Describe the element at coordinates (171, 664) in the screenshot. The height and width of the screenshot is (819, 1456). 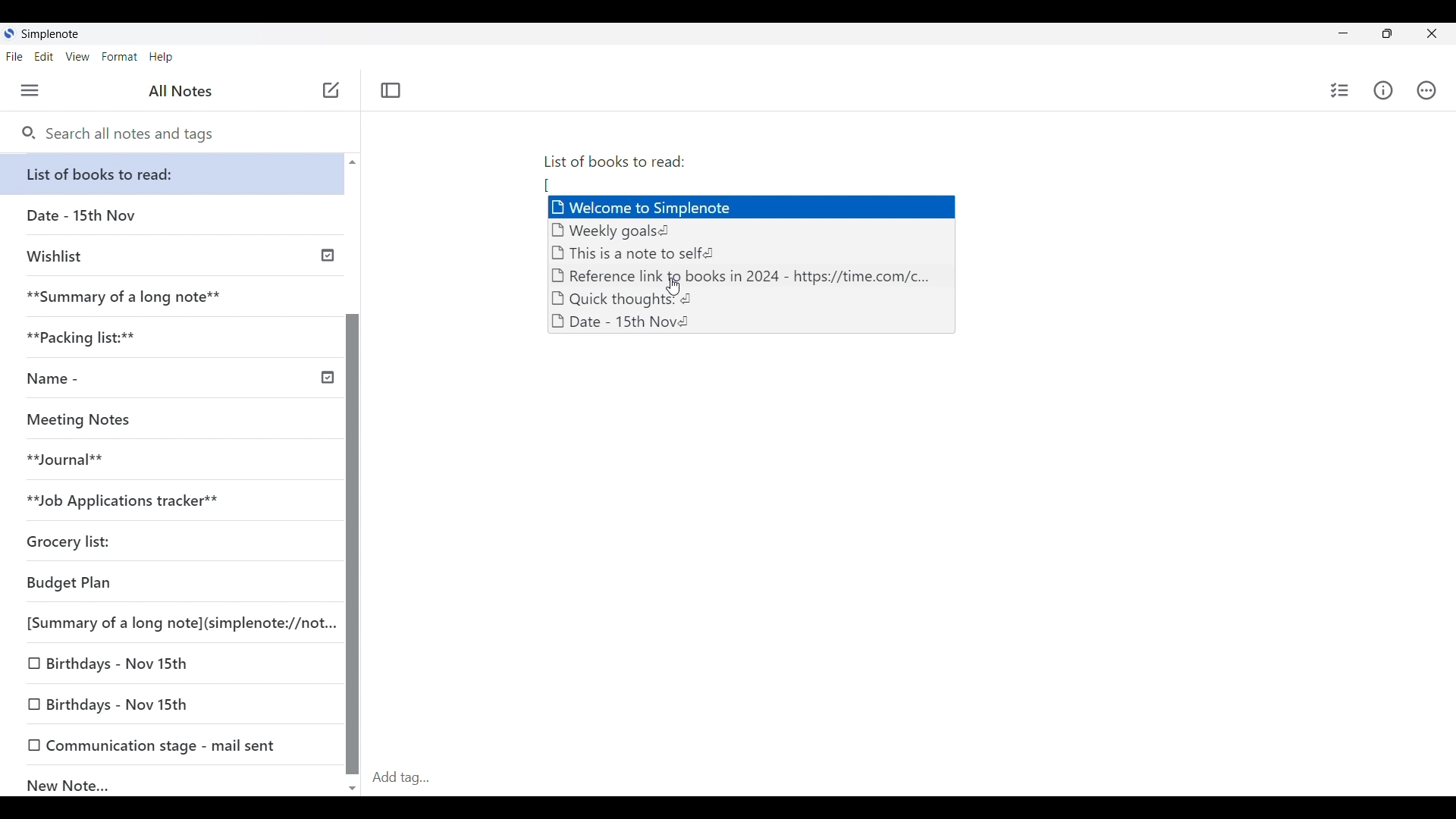
I see `Birthdays - Nov 15th` at that location.